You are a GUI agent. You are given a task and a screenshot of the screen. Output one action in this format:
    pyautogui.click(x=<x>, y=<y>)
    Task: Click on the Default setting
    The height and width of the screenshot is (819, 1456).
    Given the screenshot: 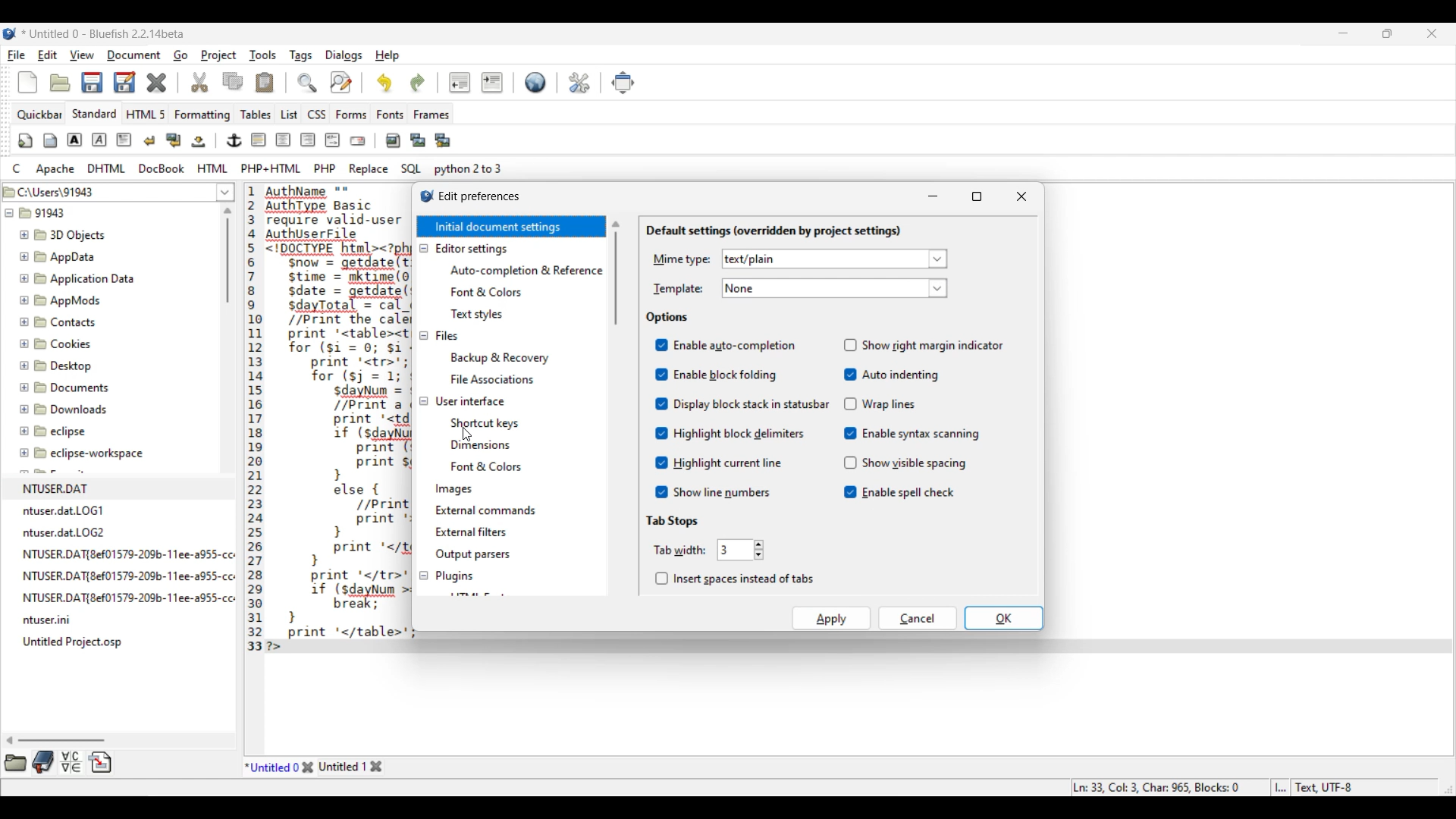 What is the action you would take?
    pyautogui.click(x=535, y=82)
    